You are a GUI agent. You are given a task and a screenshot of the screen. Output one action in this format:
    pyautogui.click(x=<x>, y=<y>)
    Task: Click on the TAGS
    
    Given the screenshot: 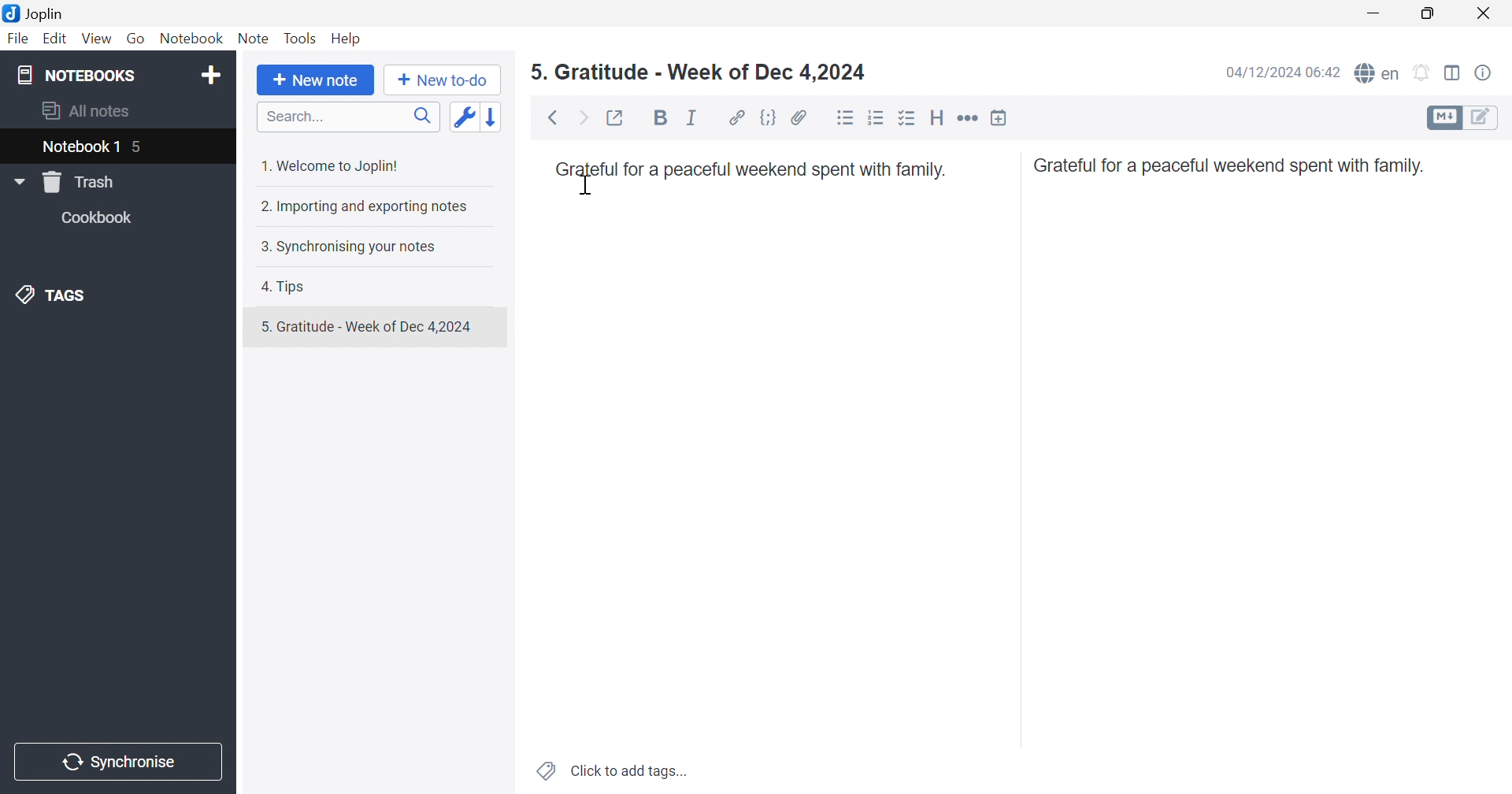 What is the action you would take?
    pyautogui.click(x=59, y=295)
    